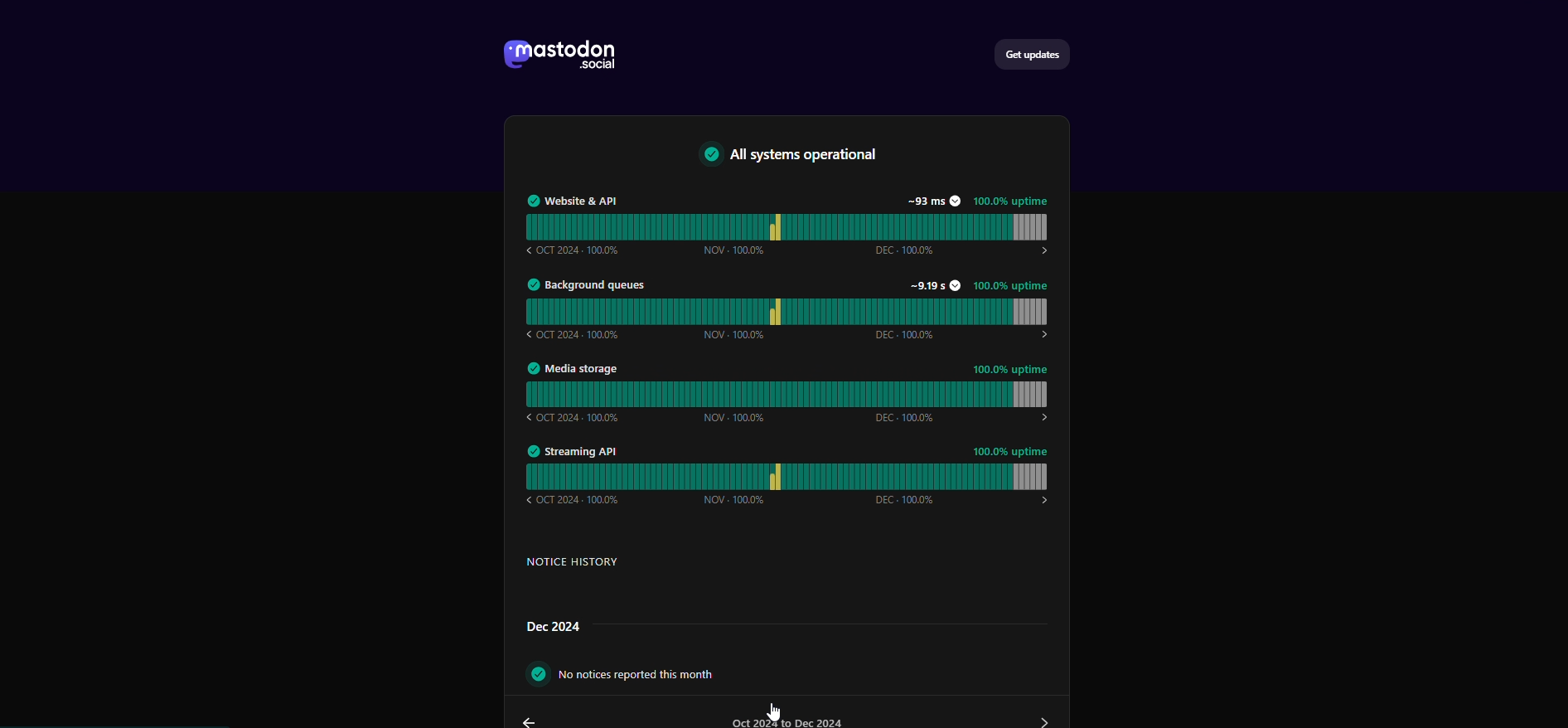 Image resolution: width=1568 pixels, height=728 pixels. I want to click on dec 2024, so click(555, 626).